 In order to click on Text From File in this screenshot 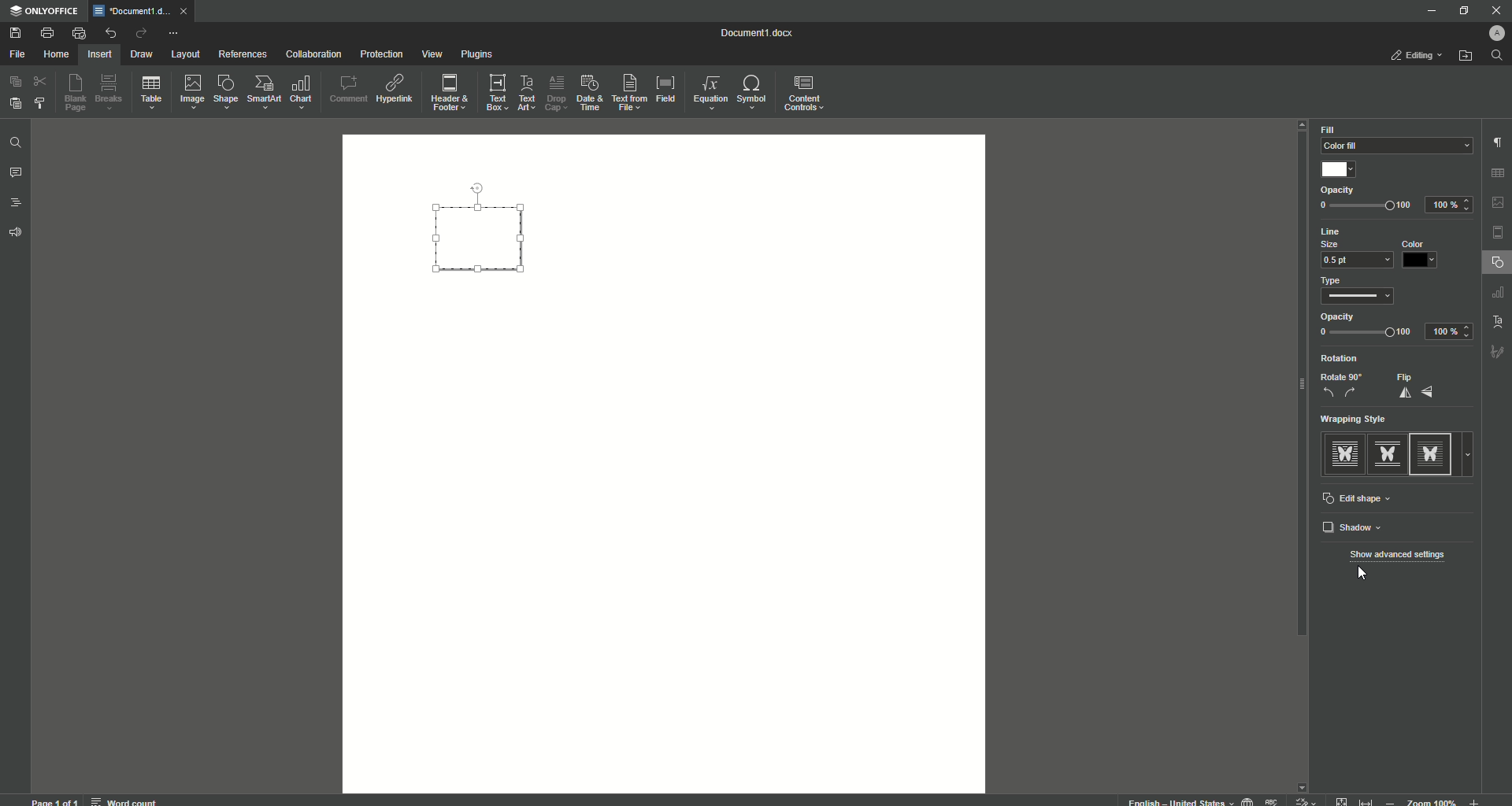, I will do `click(627, 91)`.